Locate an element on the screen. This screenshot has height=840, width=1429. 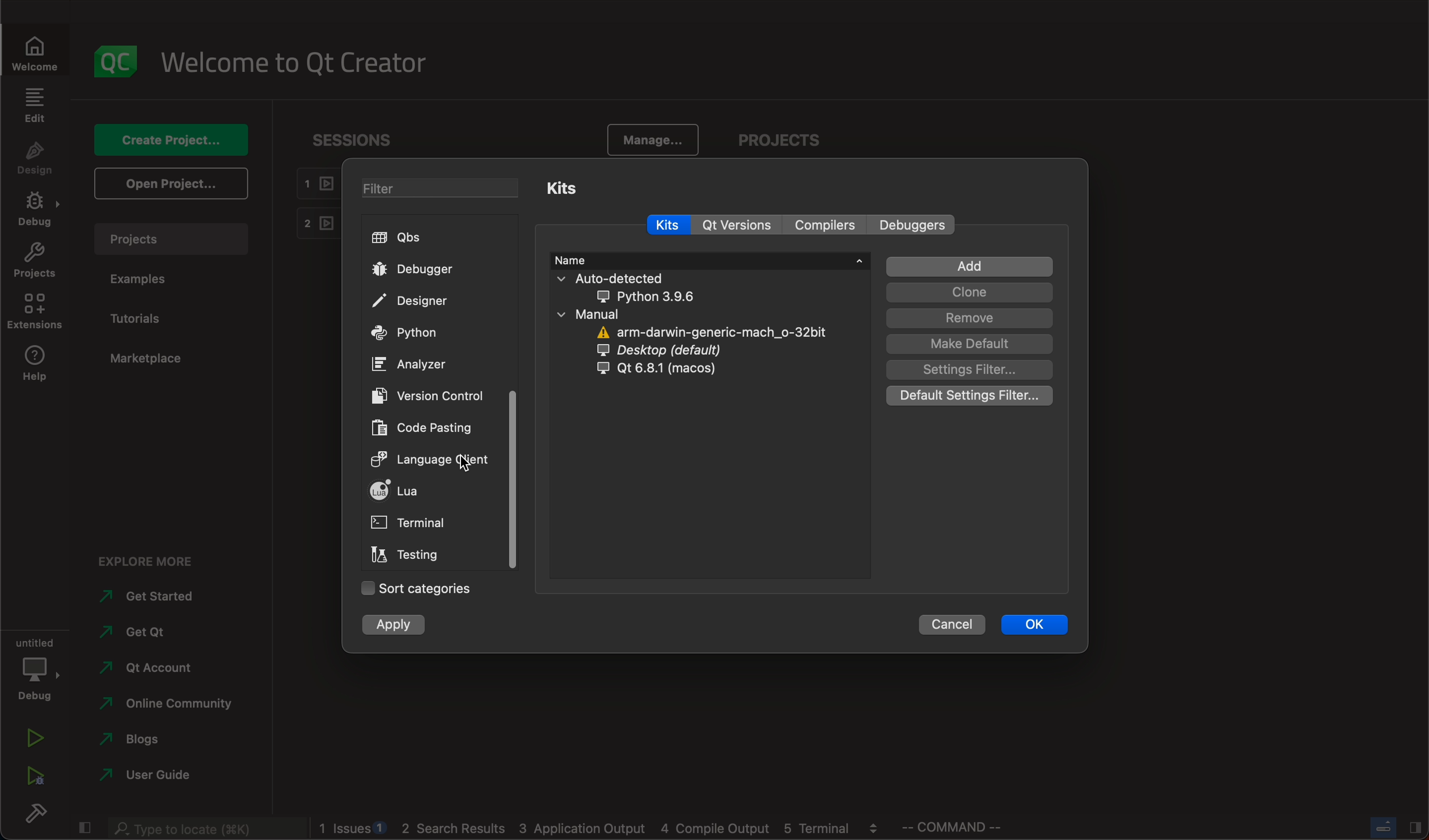
welcome is located at coordinates (293, 63).